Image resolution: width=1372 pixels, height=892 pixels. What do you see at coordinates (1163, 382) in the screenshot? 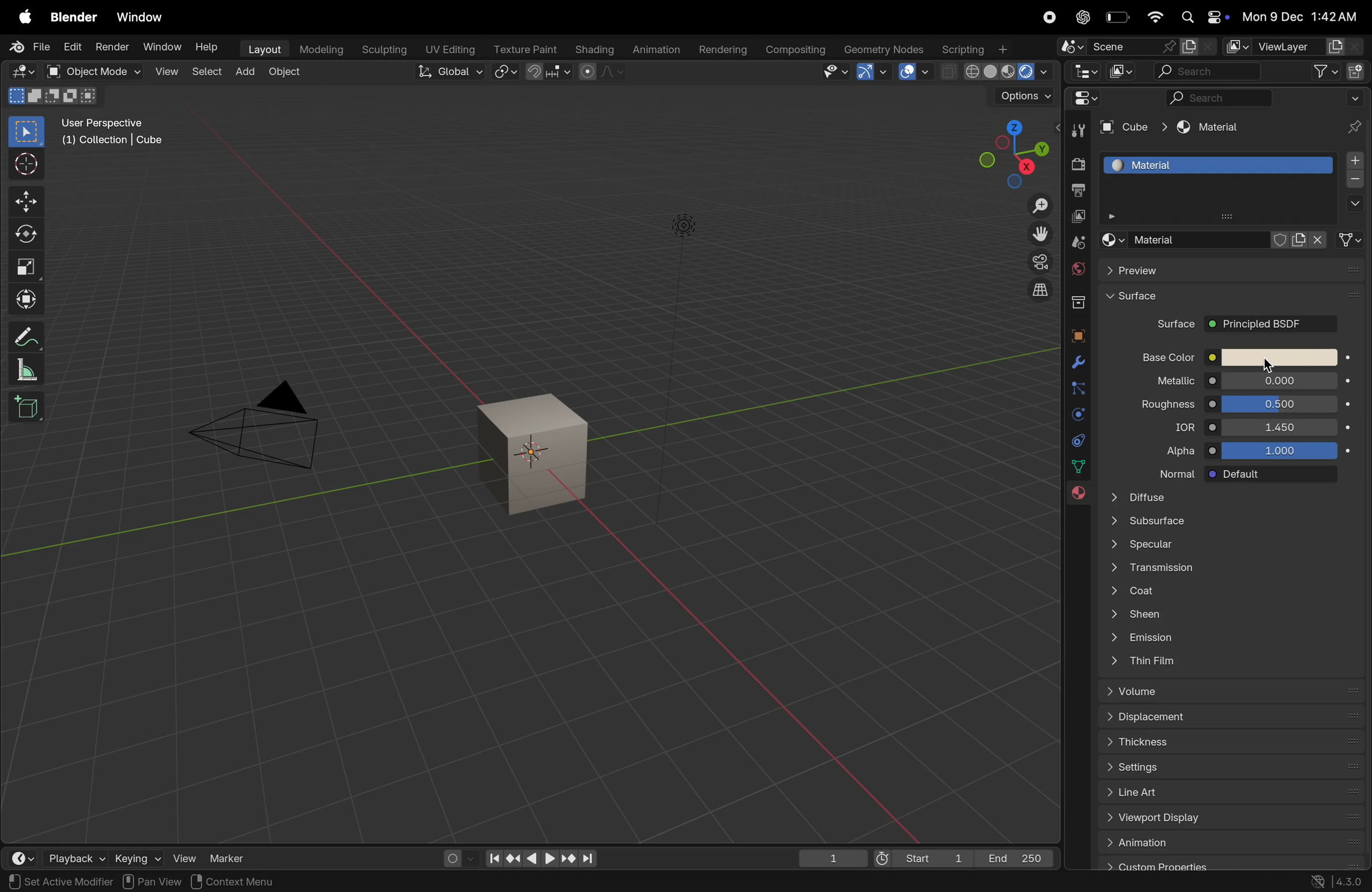
I see `metallic` at bounding box center [1163, 382].